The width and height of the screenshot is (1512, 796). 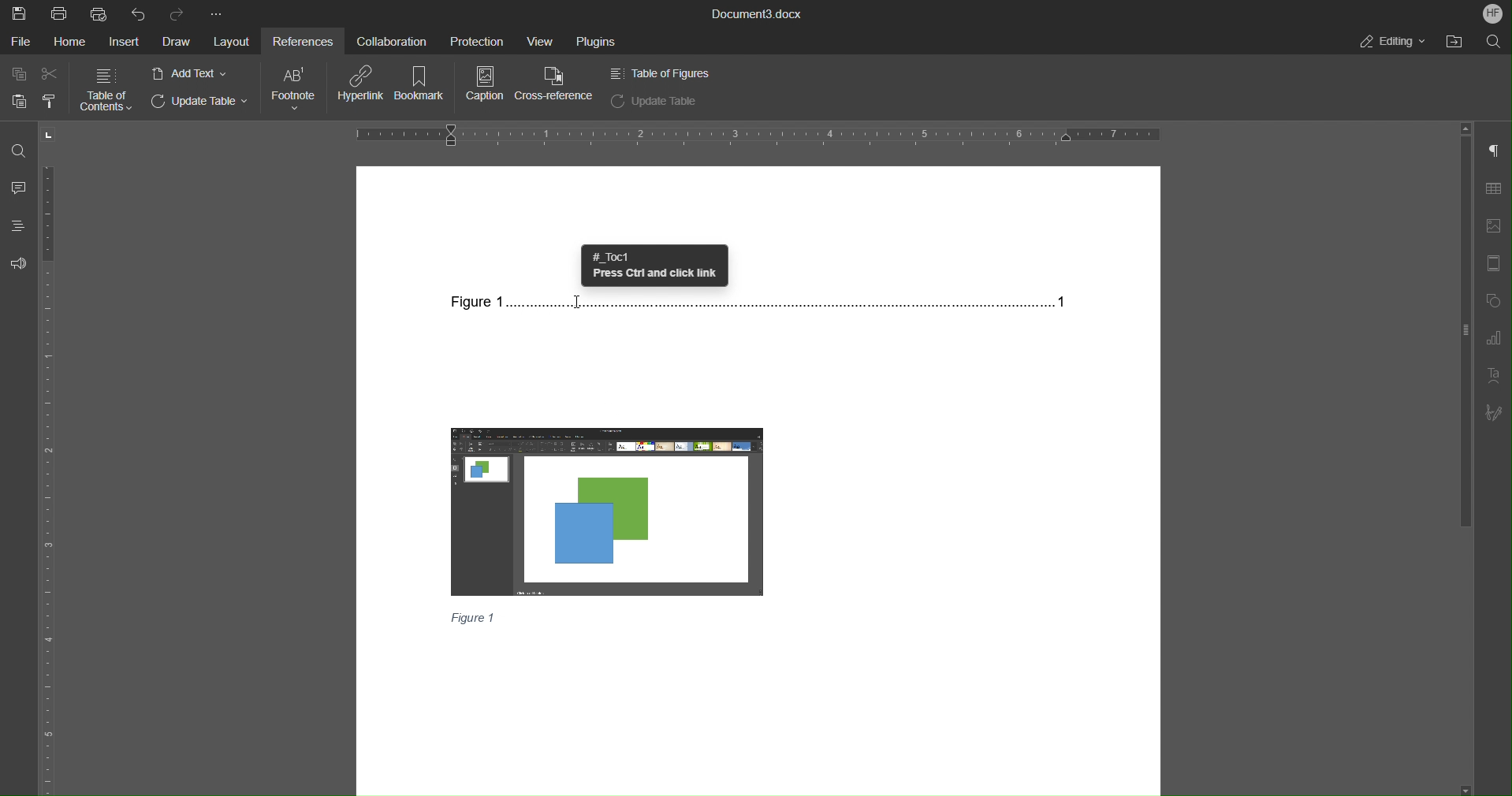 I want to click on Table of Figures, so click(x=659, y=73).